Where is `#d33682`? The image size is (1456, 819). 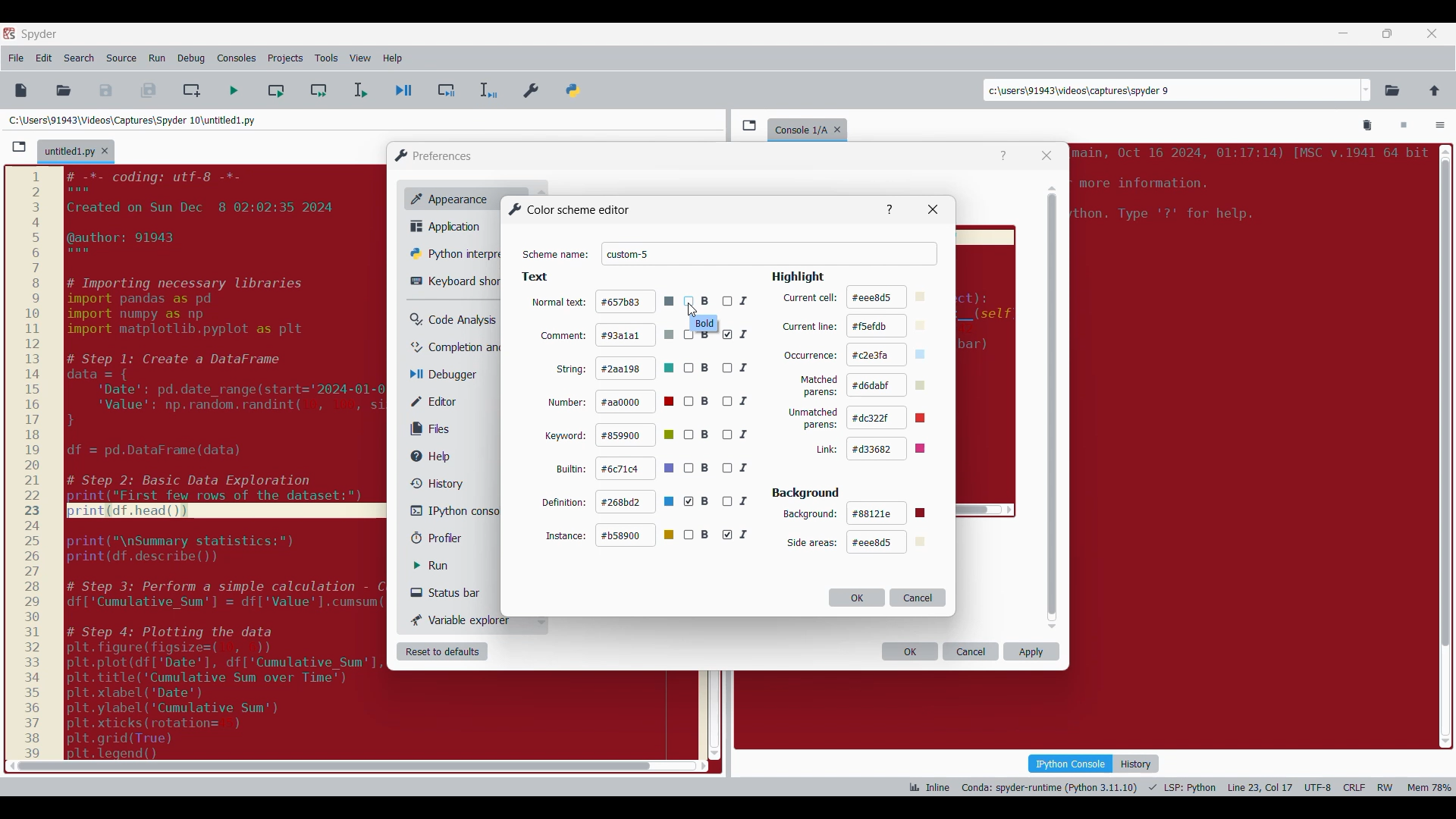
#d33682 is located at coordinates (893, 448).